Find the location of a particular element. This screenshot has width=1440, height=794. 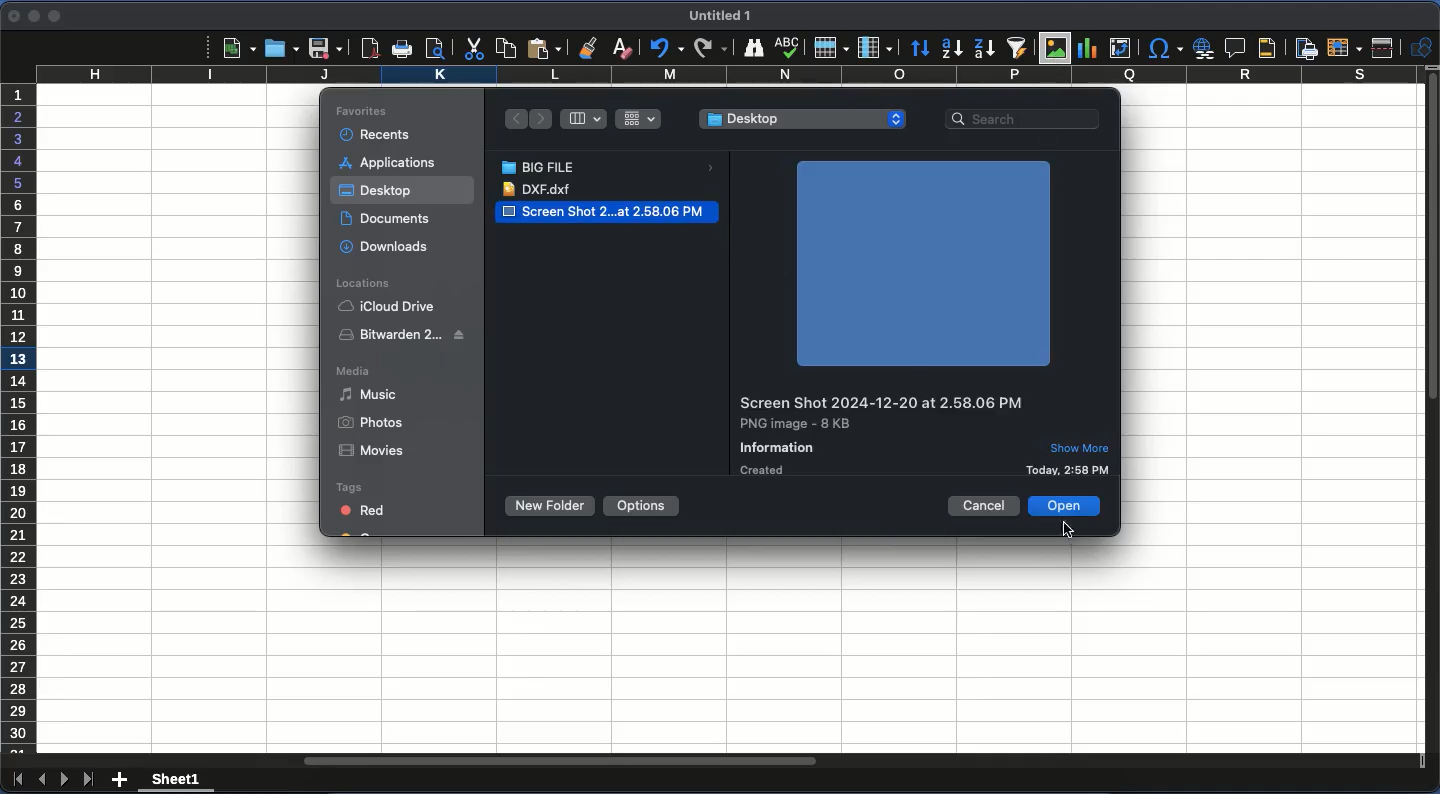

horizontal scroll bar is located at coordinates (558, 760).